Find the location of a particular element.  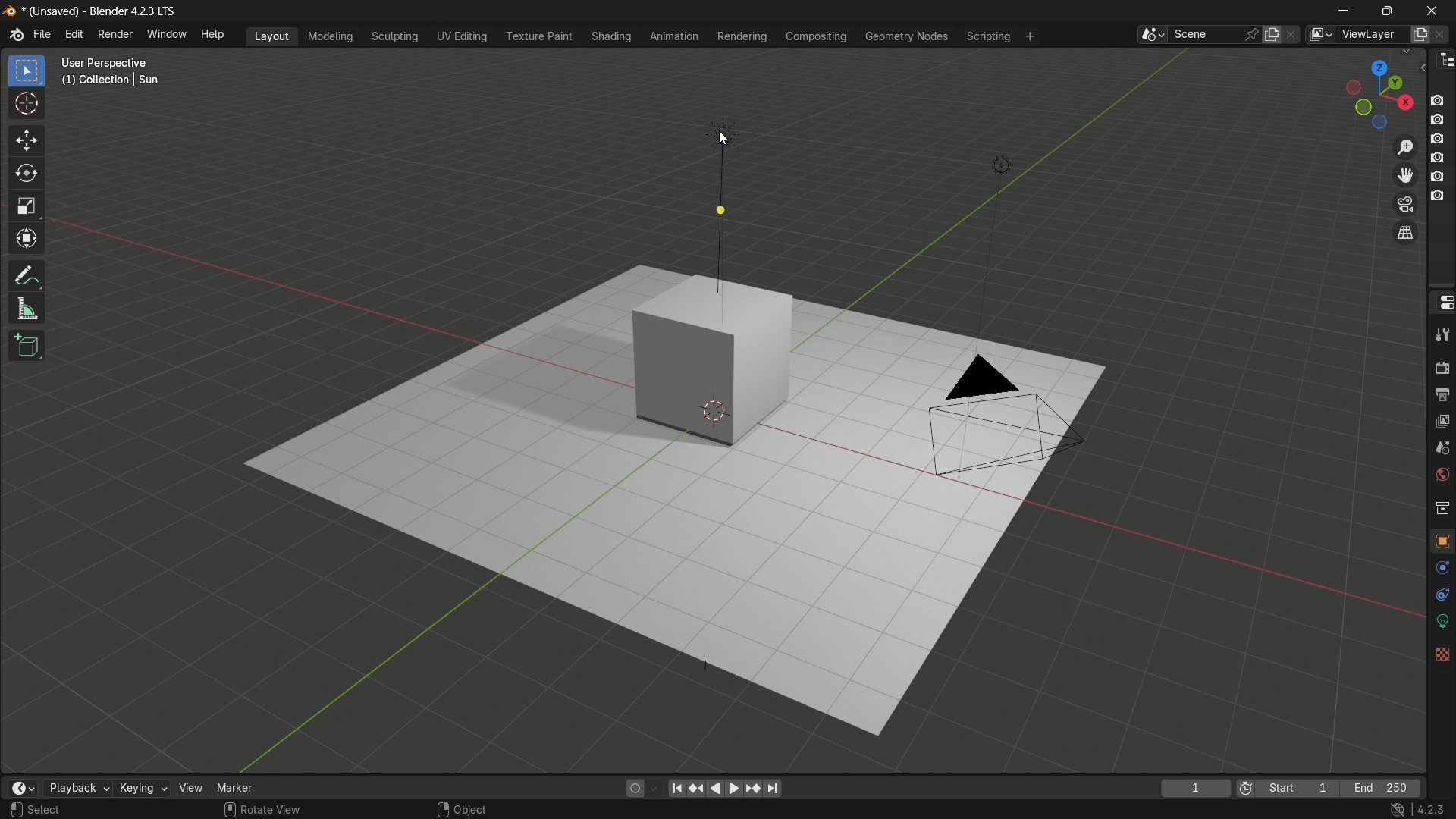

sun light is located at coordinates (719, 133).